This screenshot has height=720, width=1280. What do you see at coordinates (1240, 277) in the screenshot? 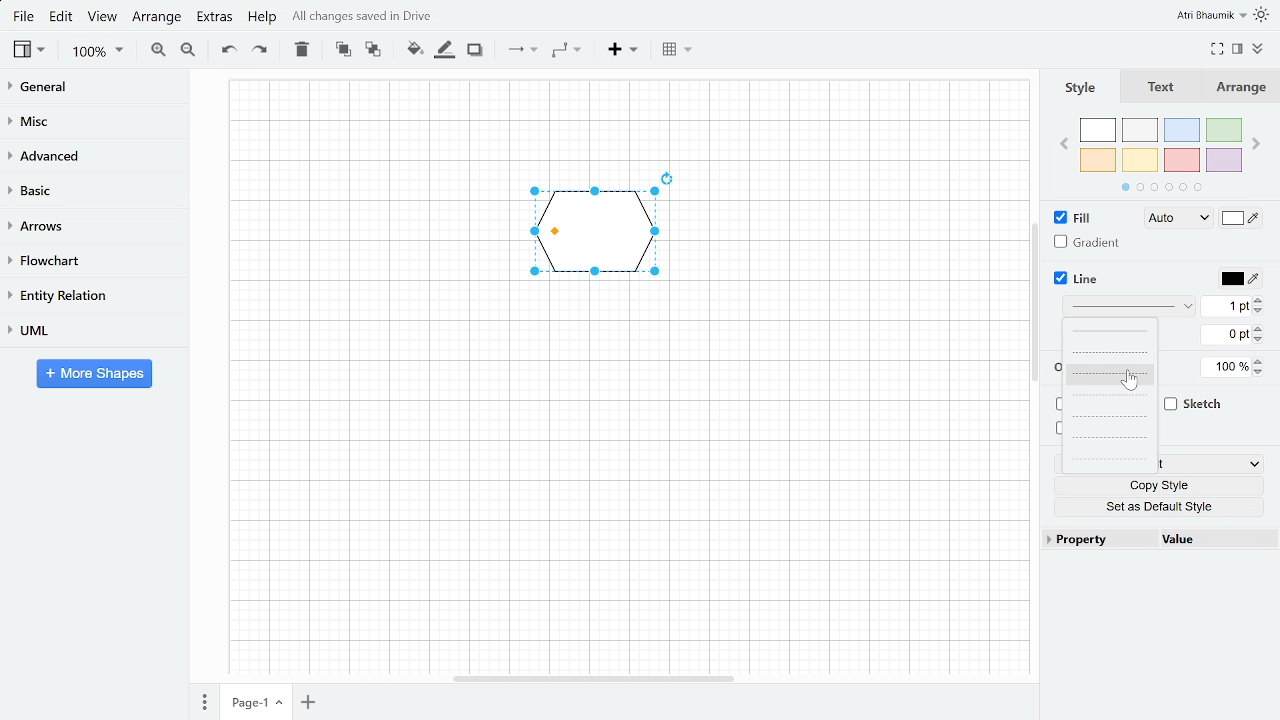
I see `Line color` at bounding box center [1240, 277].